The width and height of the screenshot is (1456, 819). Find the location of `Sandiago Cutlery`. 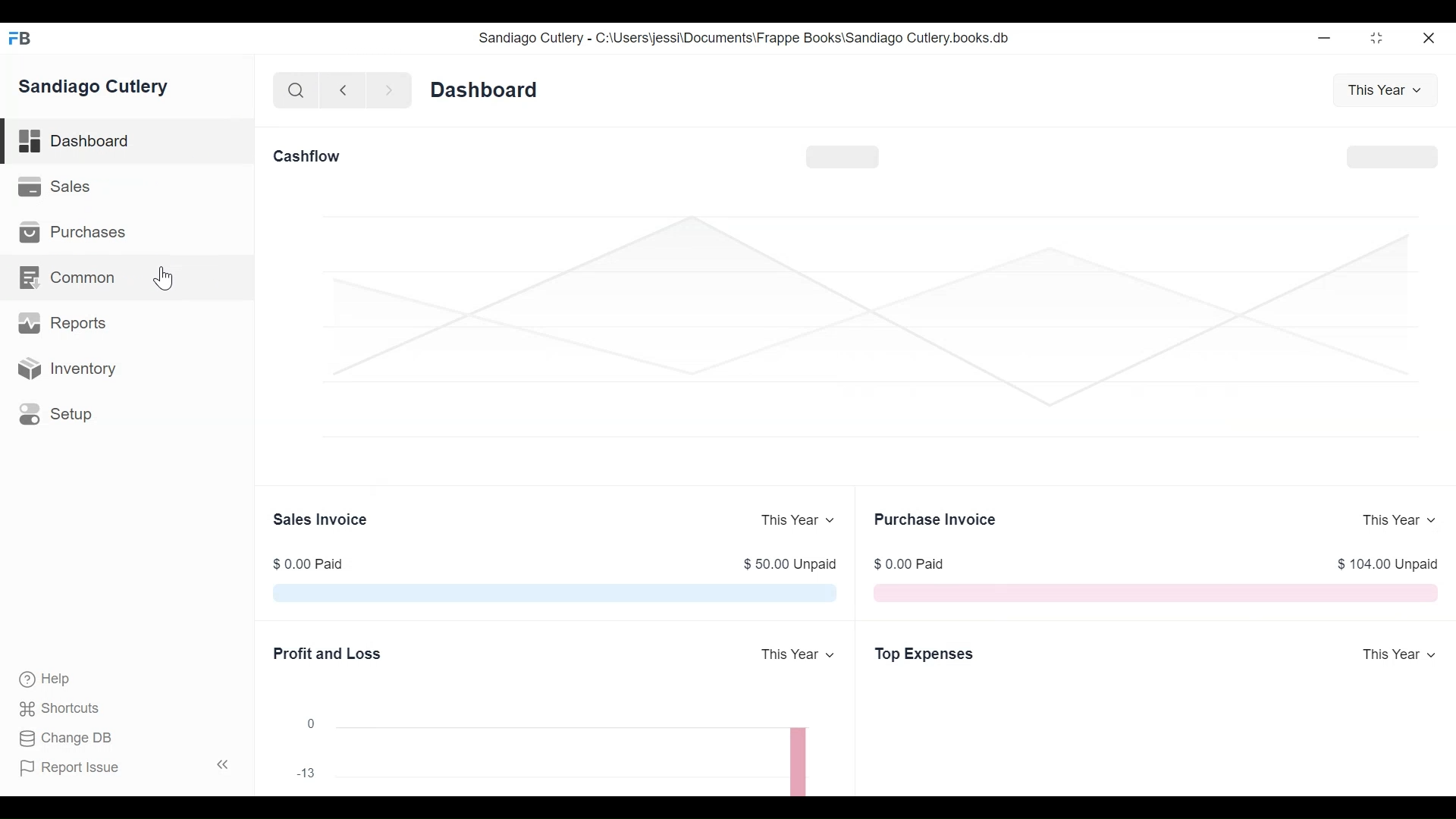

Sandiago Cutlery is located at coordinates (96, 87).